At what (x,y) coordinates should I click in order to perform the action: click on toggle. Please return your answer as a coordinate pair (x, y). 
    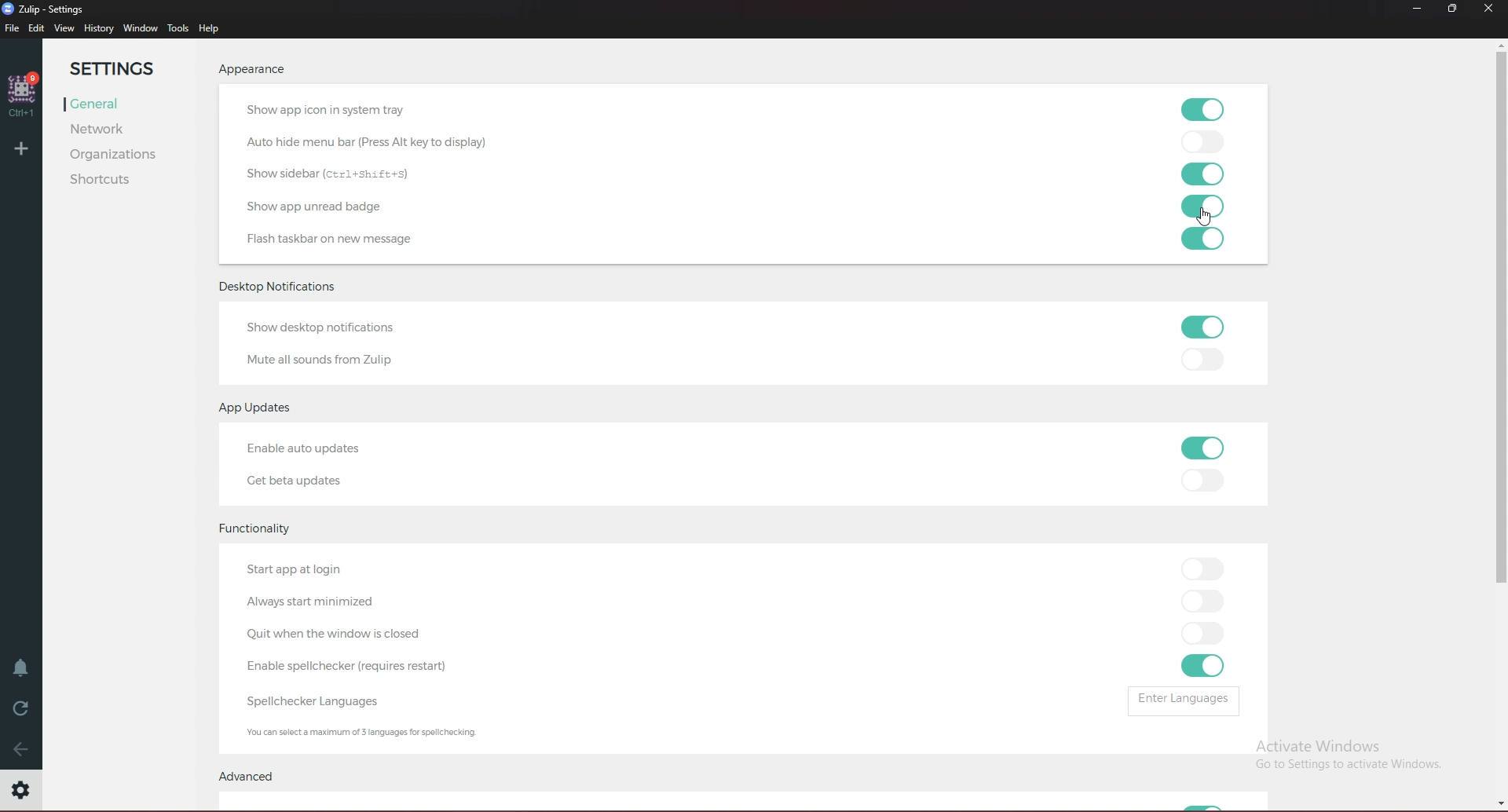
    Looking at the image, I should click on (1206, 142).